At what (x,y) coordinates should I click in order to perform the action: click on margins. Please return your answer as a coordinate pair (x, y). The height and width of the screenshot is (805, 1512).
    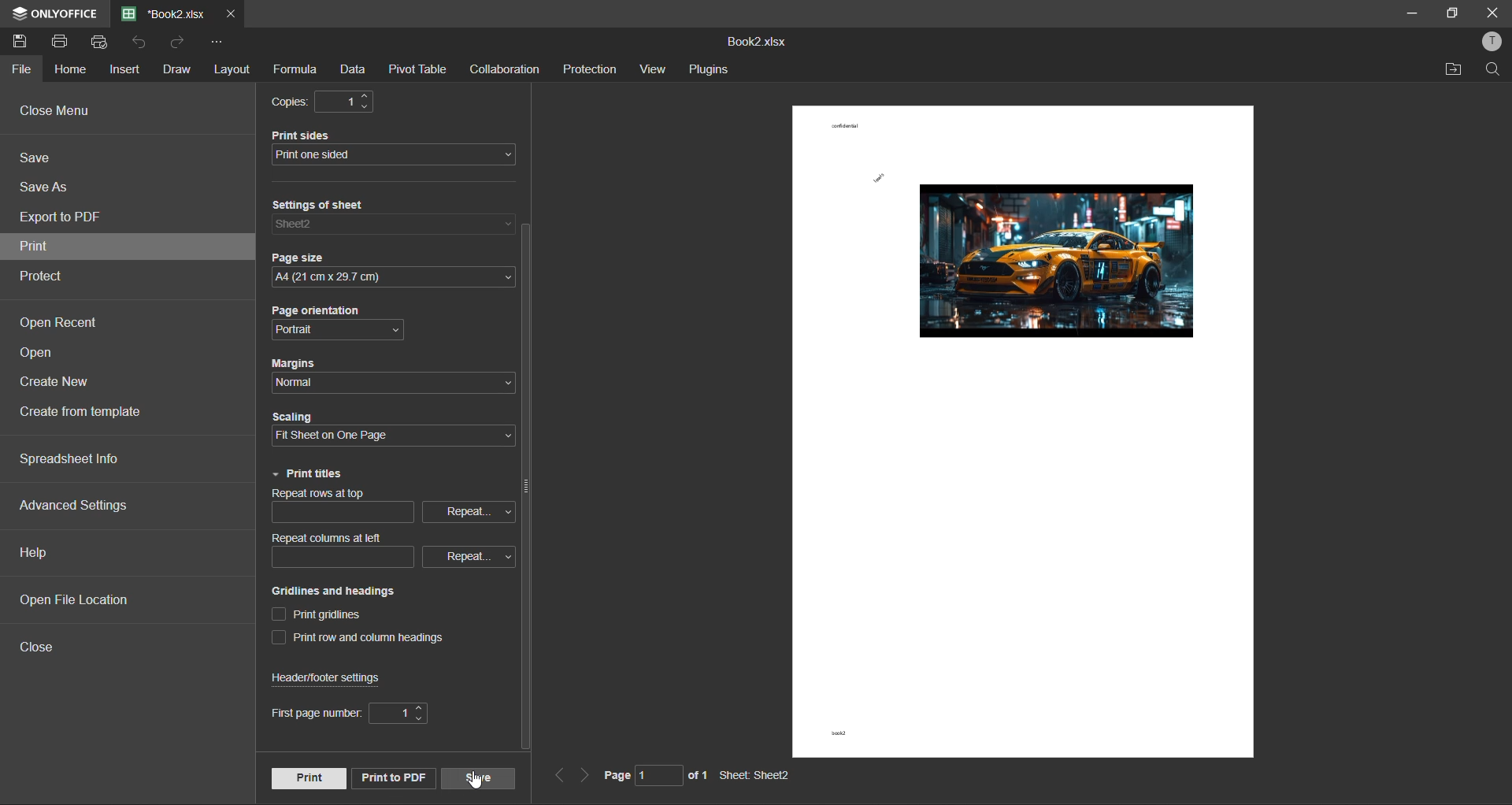
    Looking at the image, I should click on (388, 384).